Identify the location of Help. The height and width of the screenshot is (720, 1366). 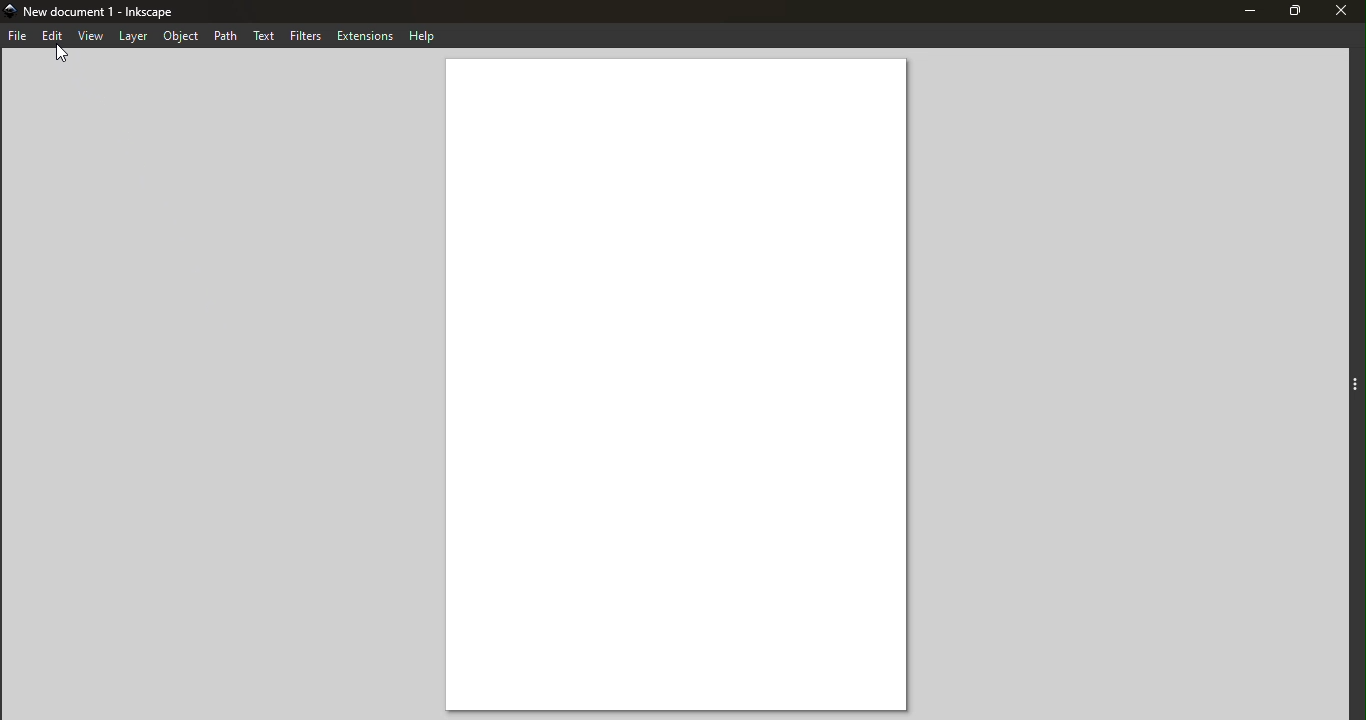
(421, 33).